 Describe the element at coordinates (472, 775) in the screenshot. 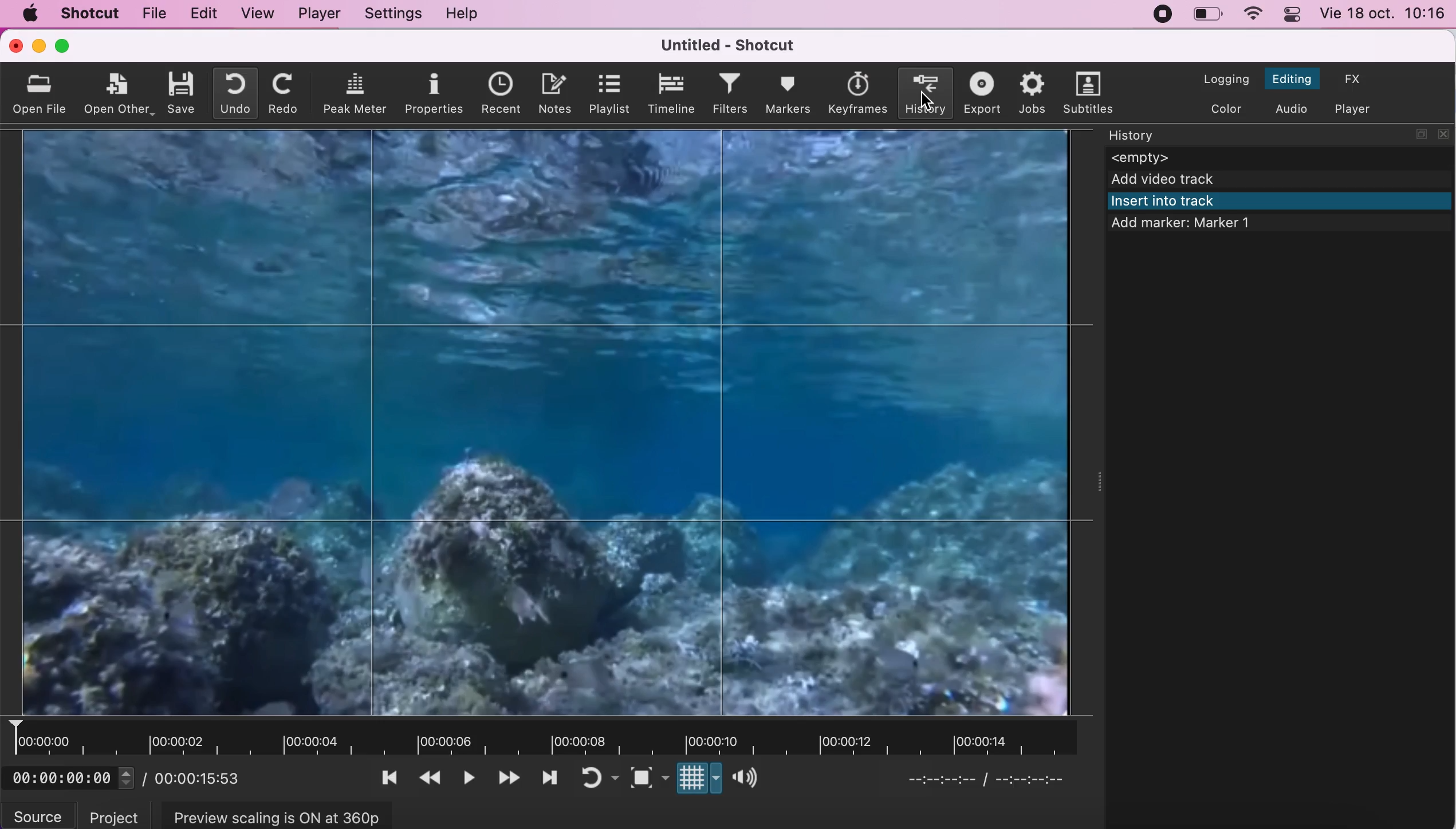

I see `toggle play or pause` at that location.